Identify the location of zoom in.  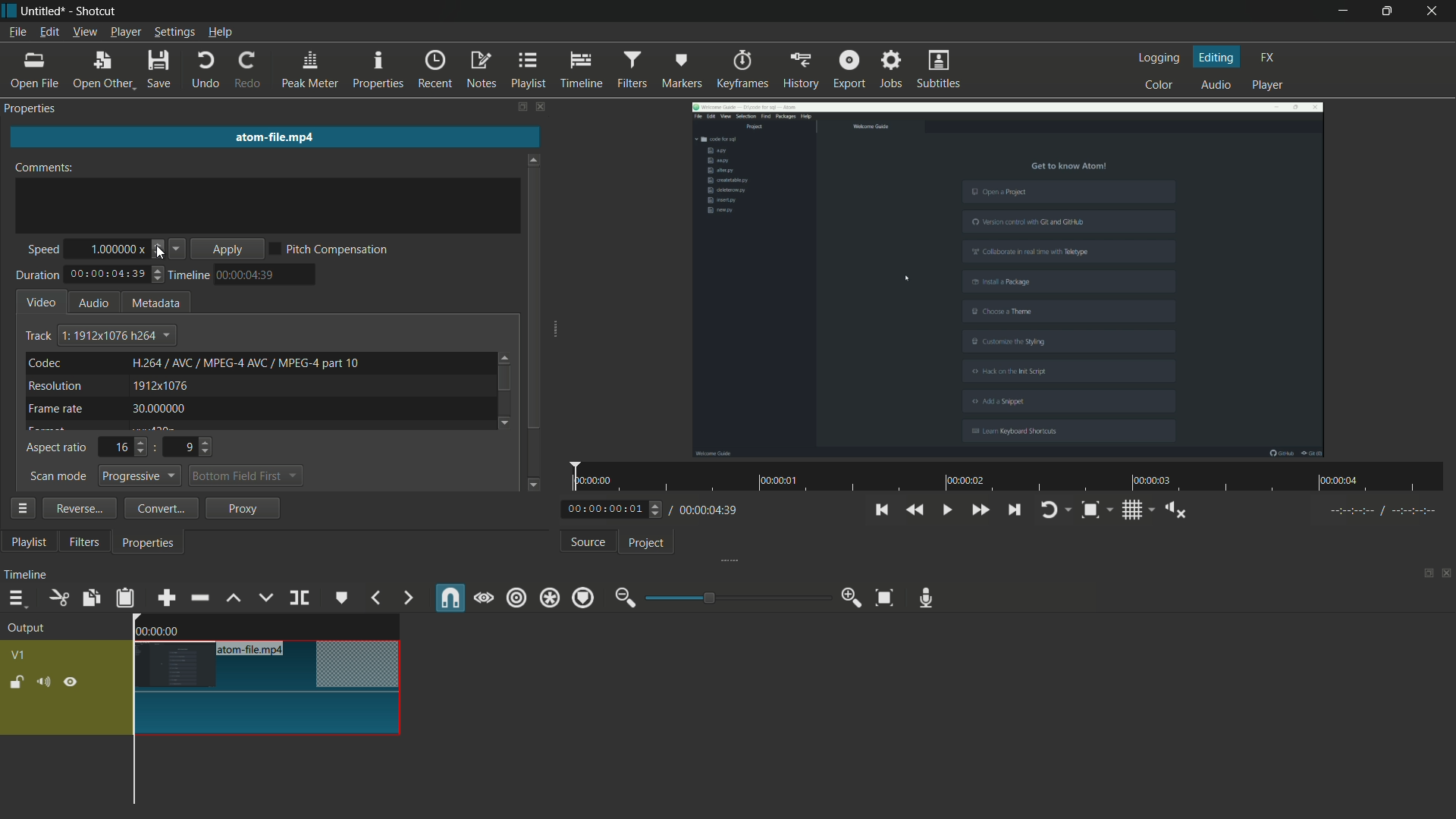
(854, 598).